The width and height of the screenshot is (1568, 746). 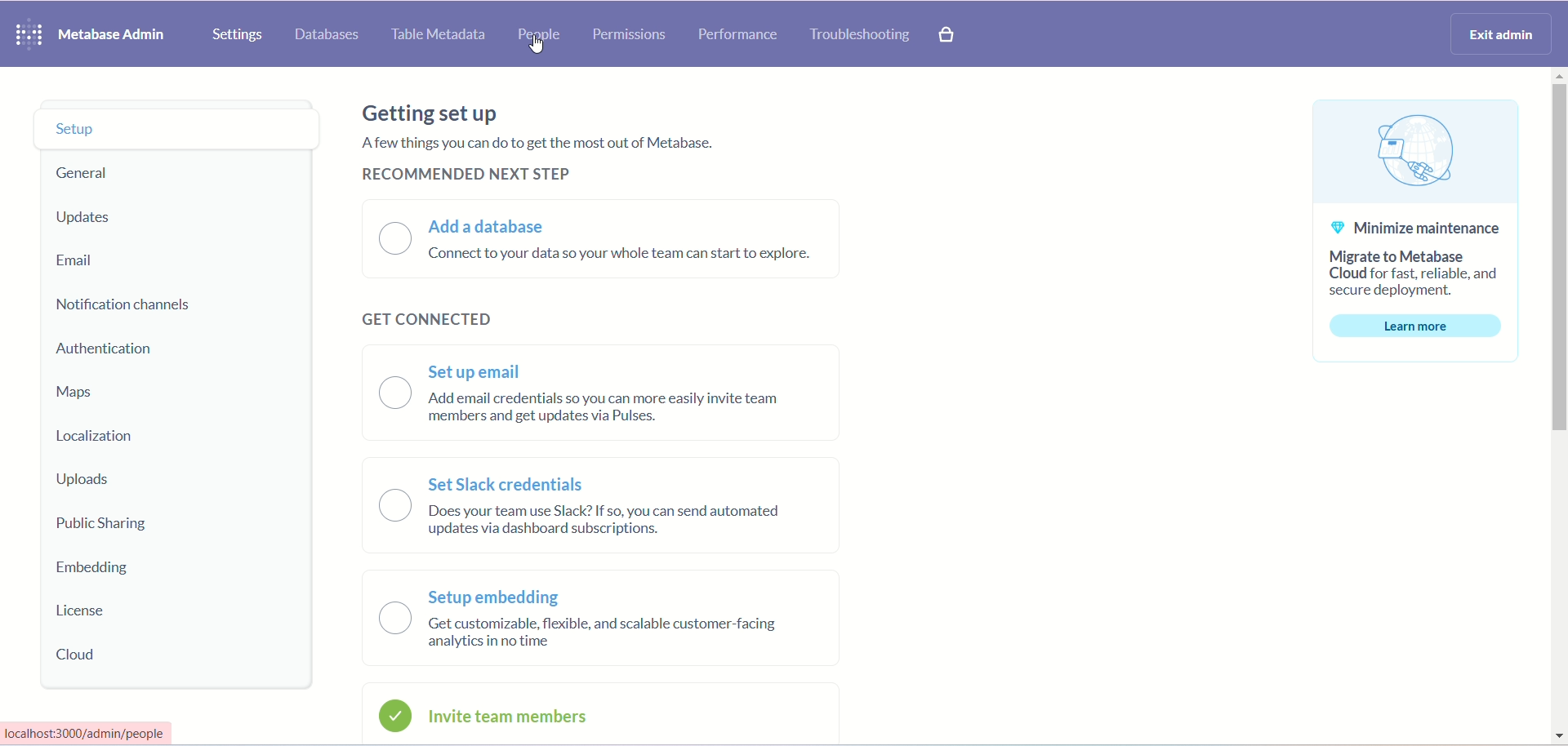 I want to click on paid features, so click(x=948, y=34).